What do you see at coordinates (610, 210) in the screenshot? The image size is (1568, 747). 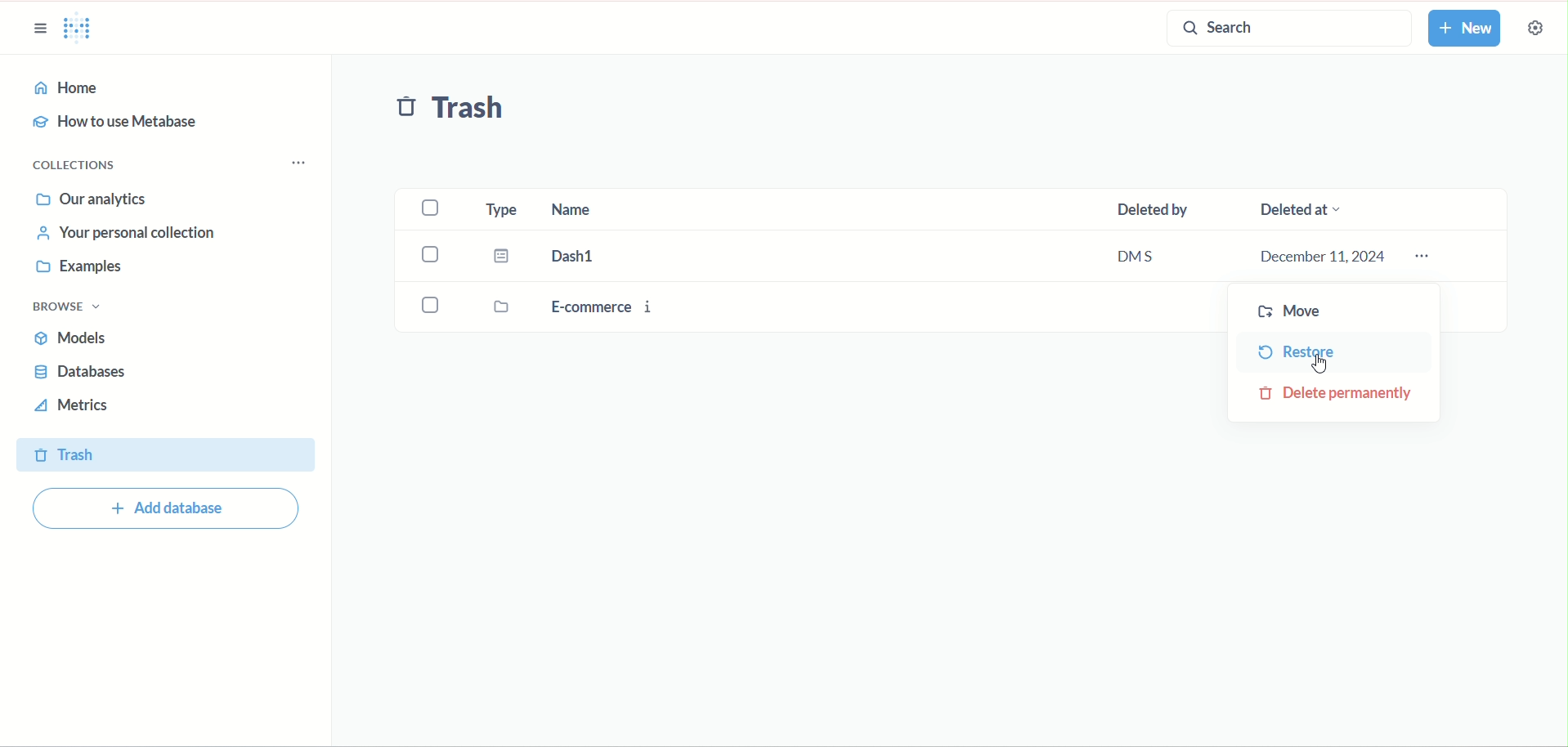 I see `name` at bounding box center [610, 210].